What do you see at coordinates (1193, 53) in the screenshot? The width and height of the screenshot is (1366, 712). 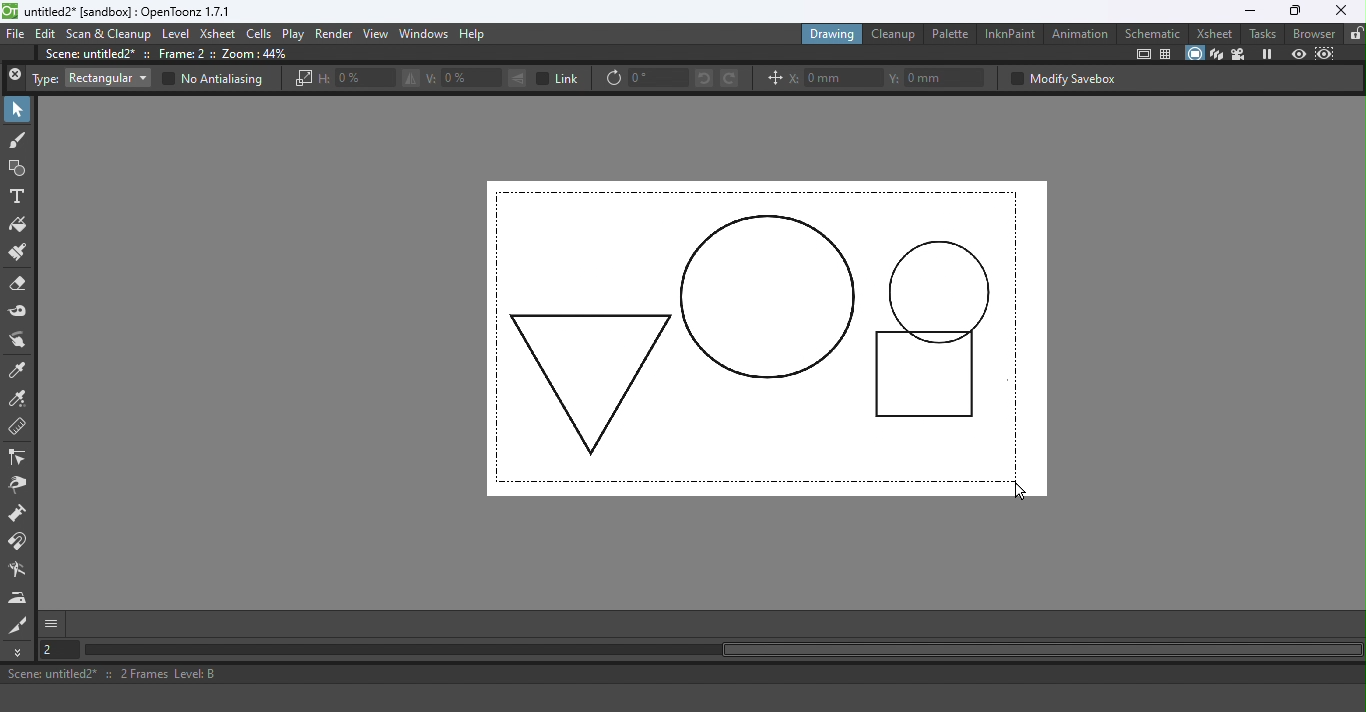 I see `Camera stand view` at bounding box center [1193, 53].